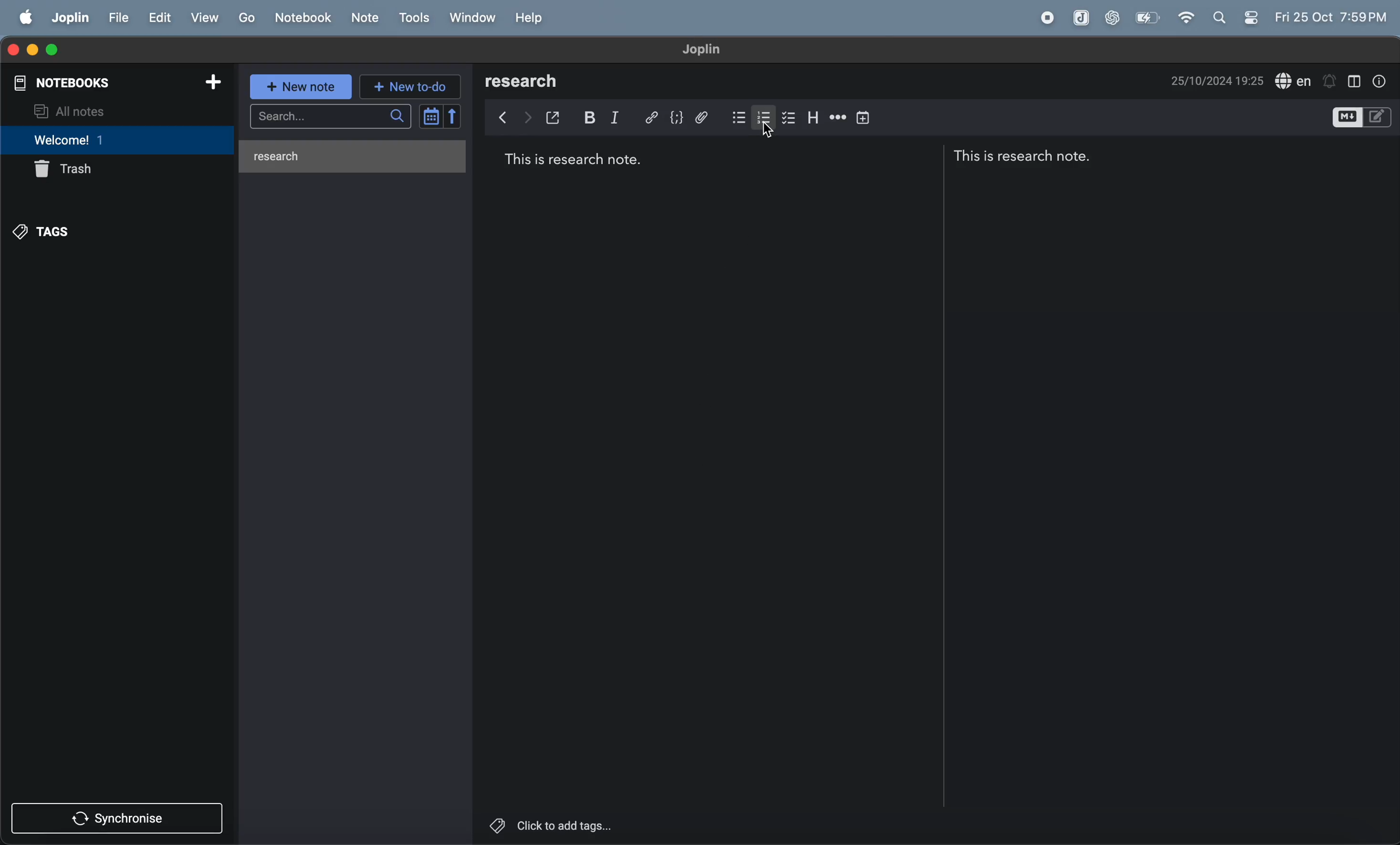  I want to click on This is research note., so click(574, 161).